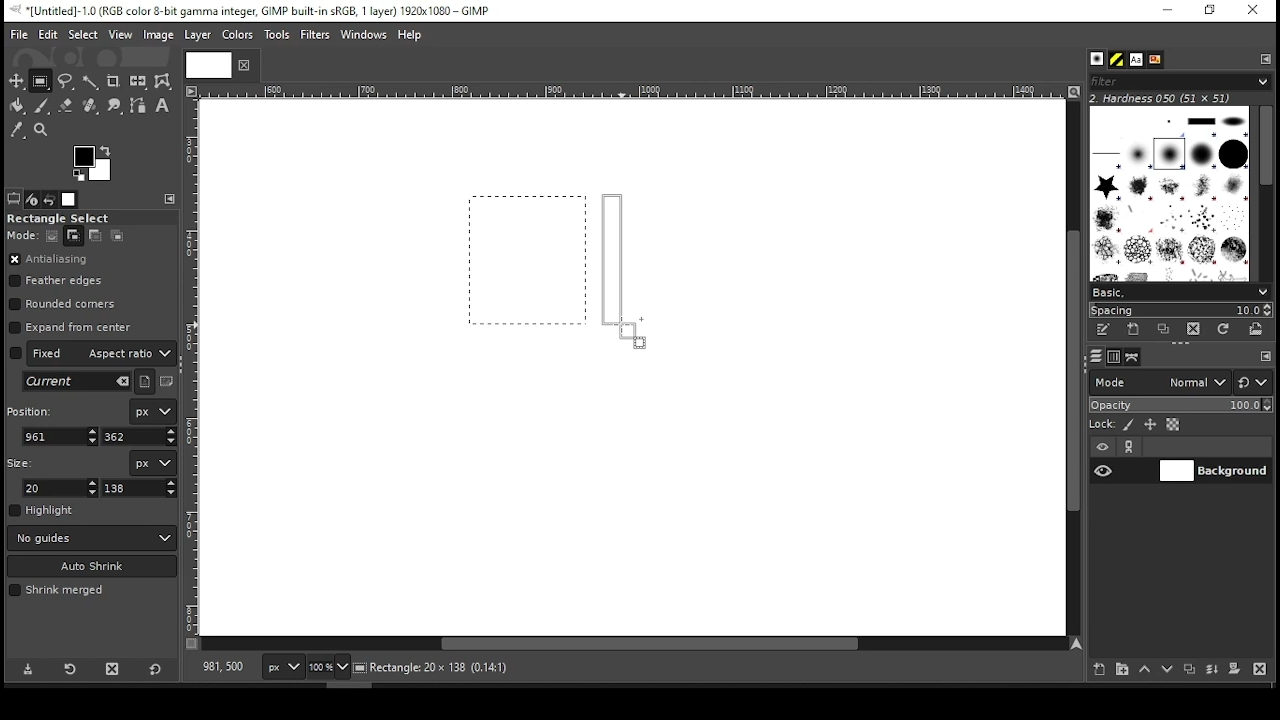 The width and height of the screenshot is (1280, 720). I want to click on device status, so click(32, 199).